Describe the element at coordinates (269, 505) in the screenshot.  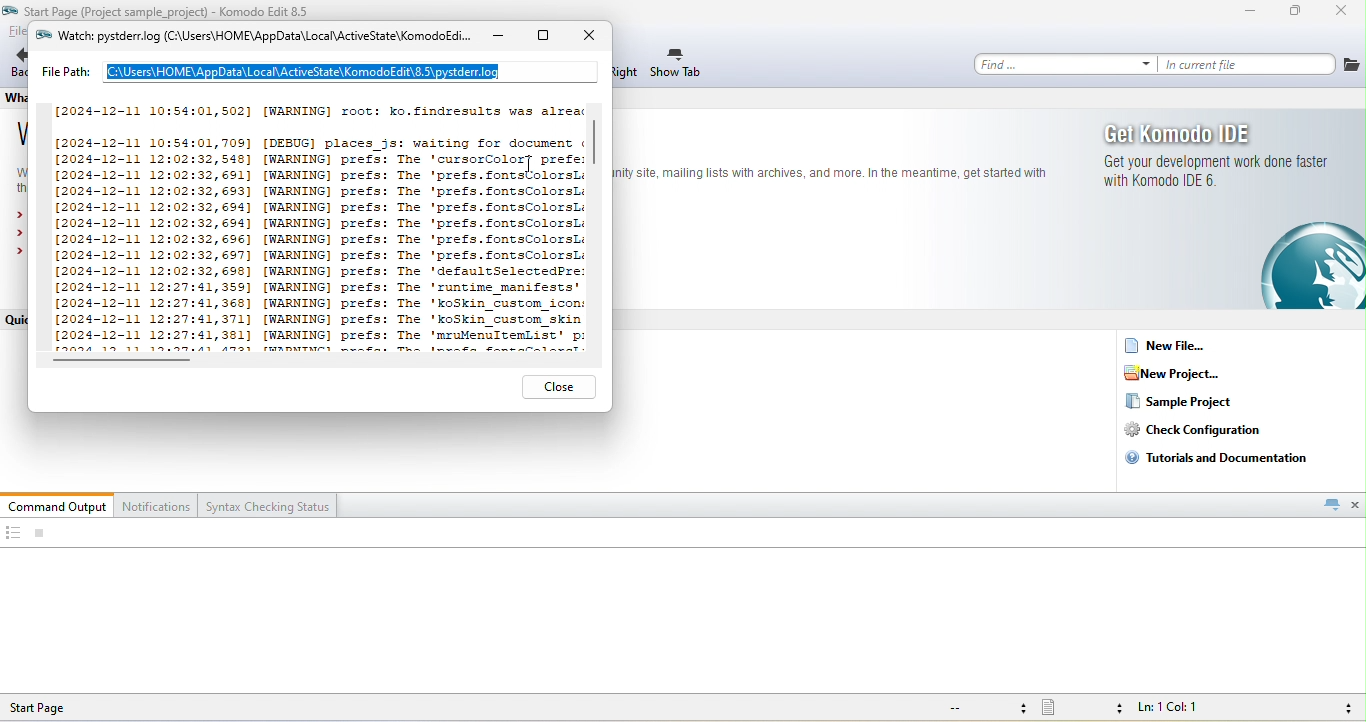
I see `syntax checking status` at that location.